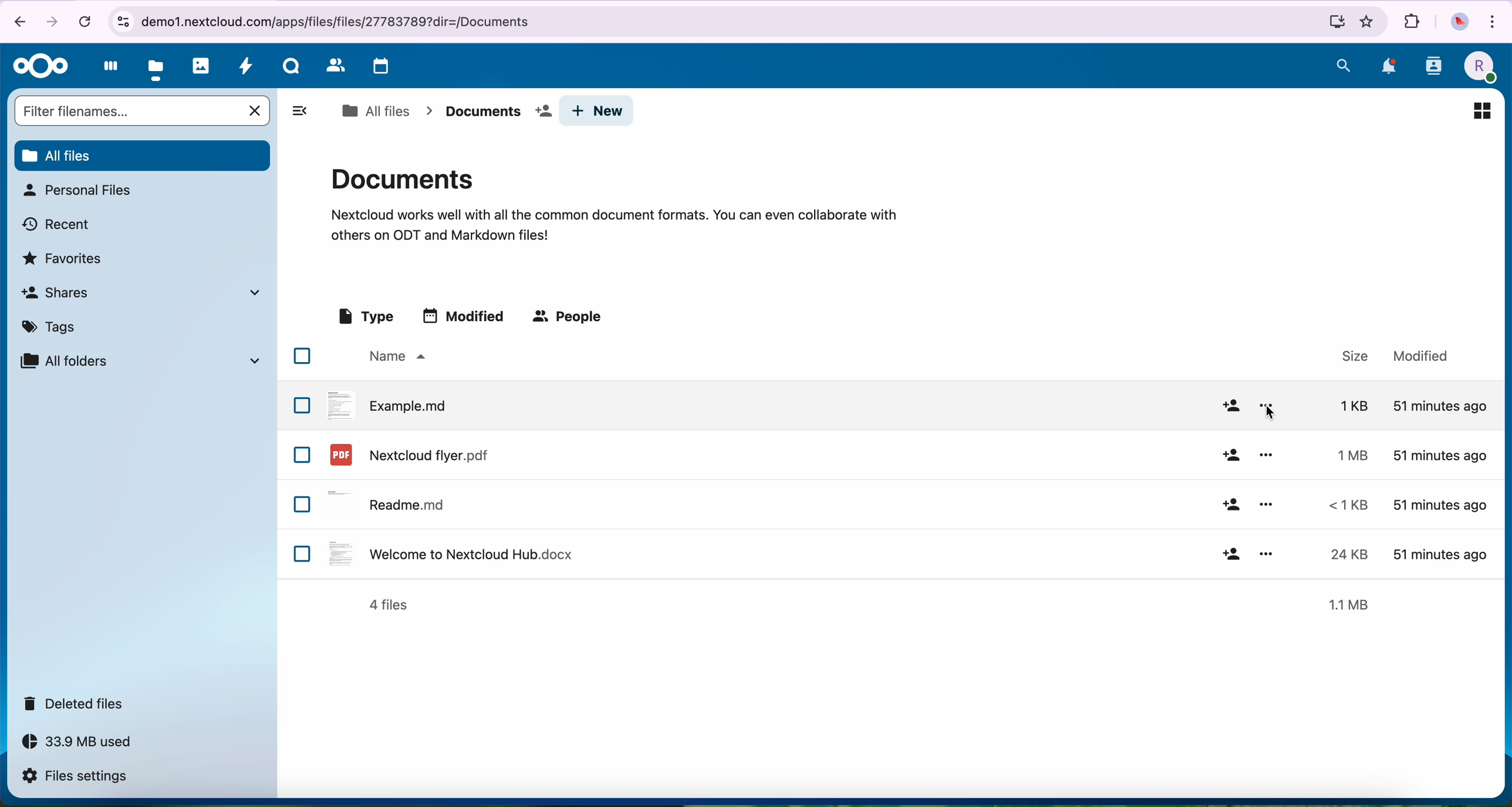 The image size is (1512, 807). I want to click on size, so click(1344, 454).